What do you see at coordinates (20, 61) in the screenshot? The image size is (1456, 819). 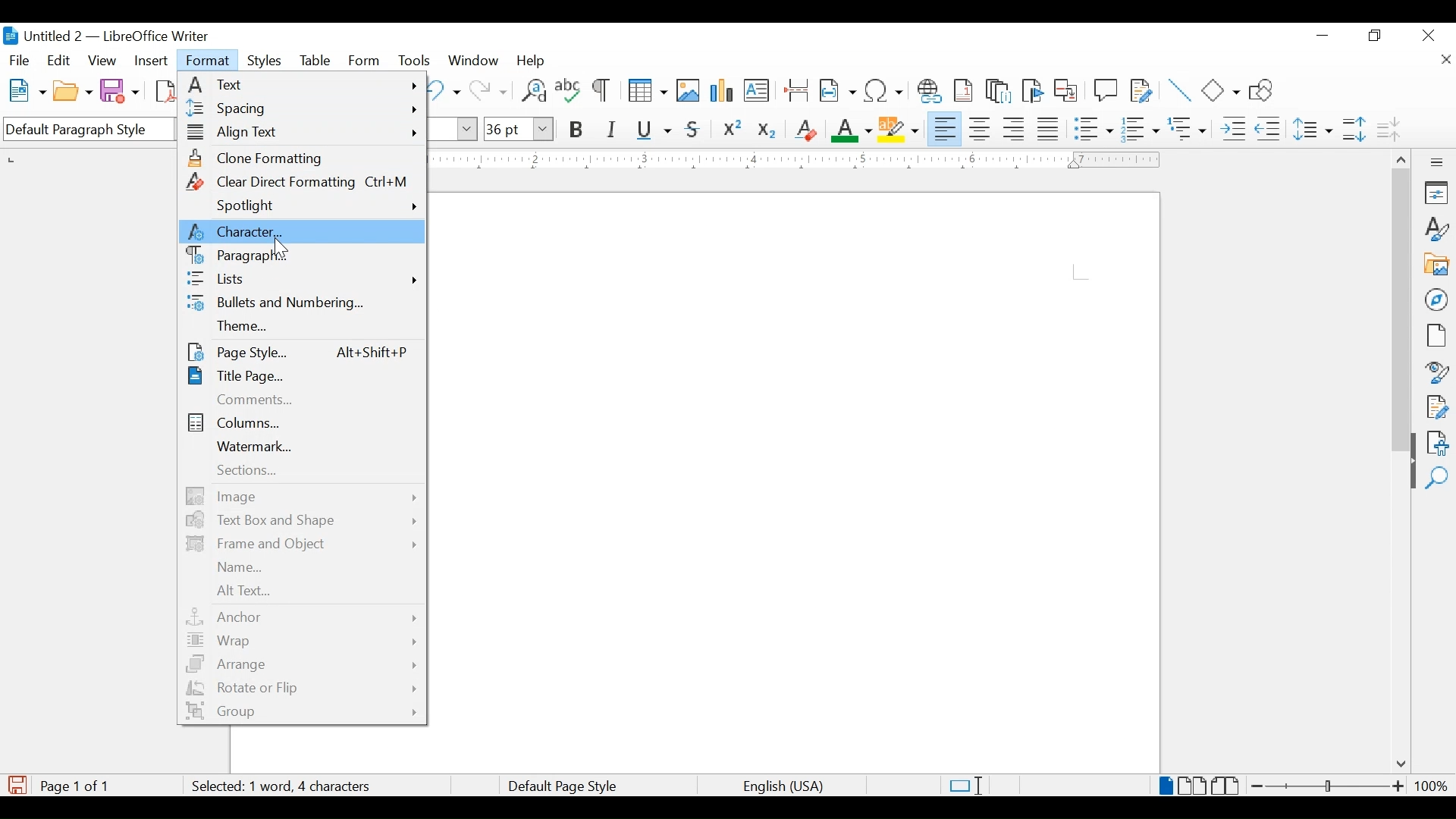 I see `fiel` at bounding box center [20, 61].